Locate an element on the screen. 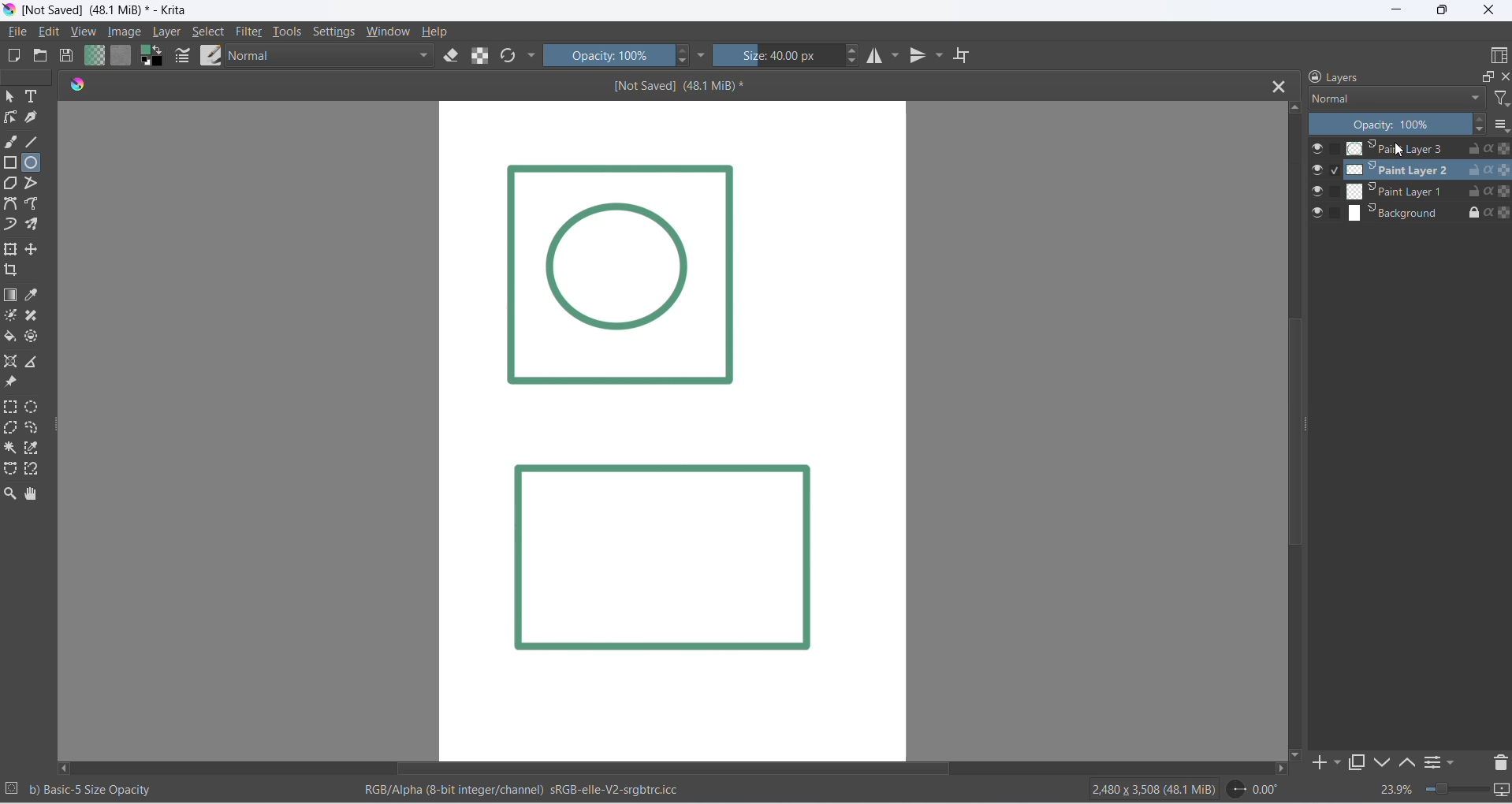 This screenshot has width=1512, height=804. [Not Saved] (48.1 Mib)* - Krita is located at coordinates (114, 11).